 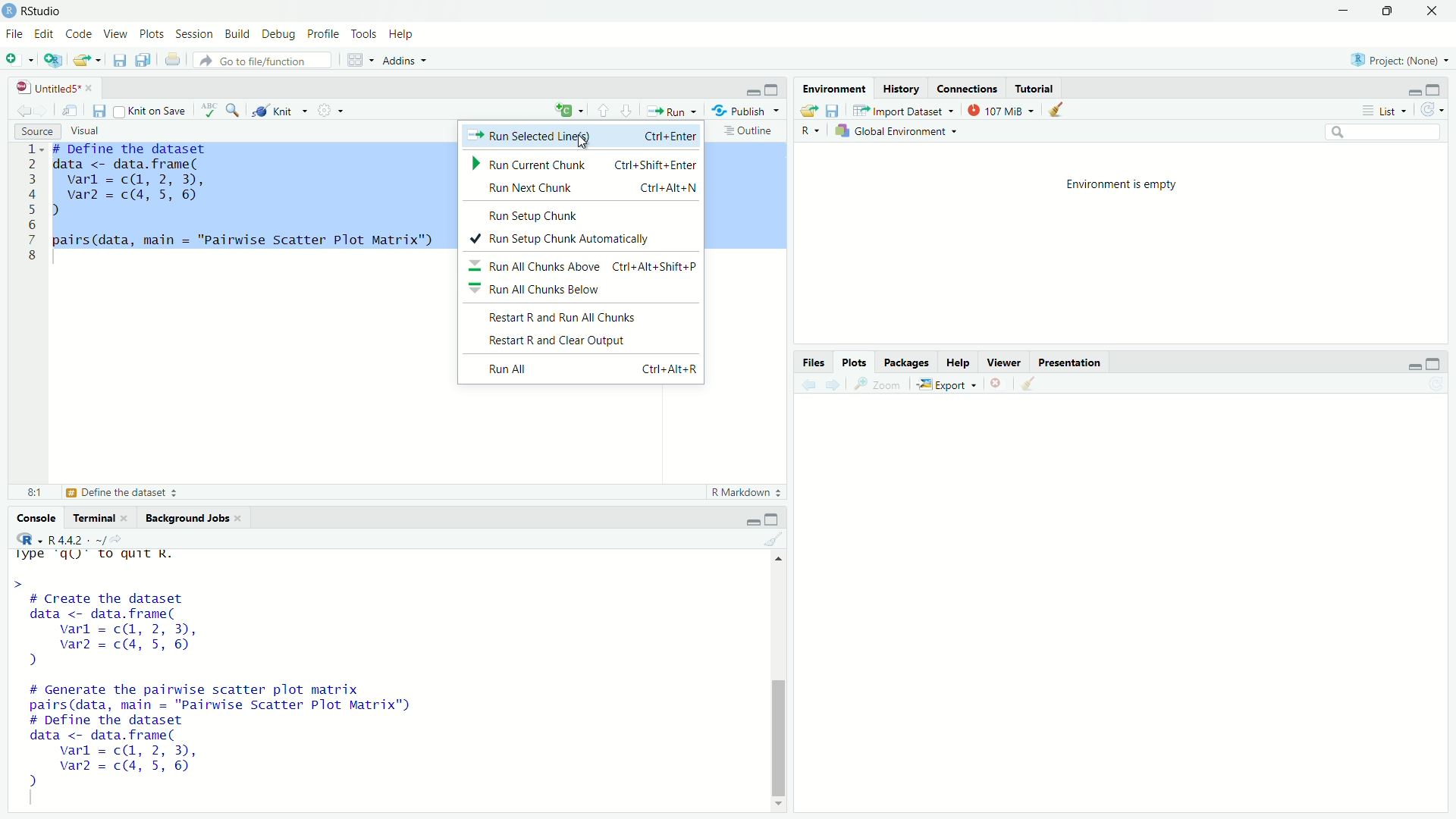 What do you see at coordinates (88, 59) in the screenshot?
I see `Open an existing file (Ctrl + O)` at bounding box center [88, 59].